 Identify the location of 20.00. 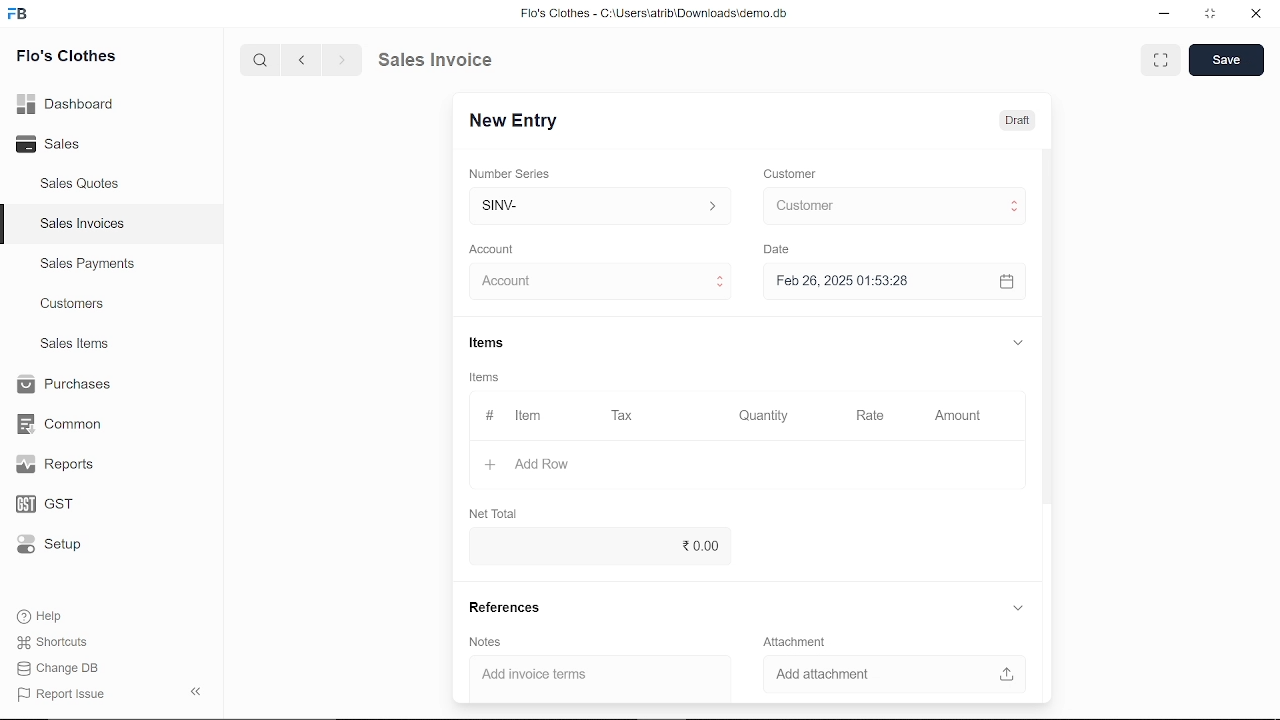
(595, 545).